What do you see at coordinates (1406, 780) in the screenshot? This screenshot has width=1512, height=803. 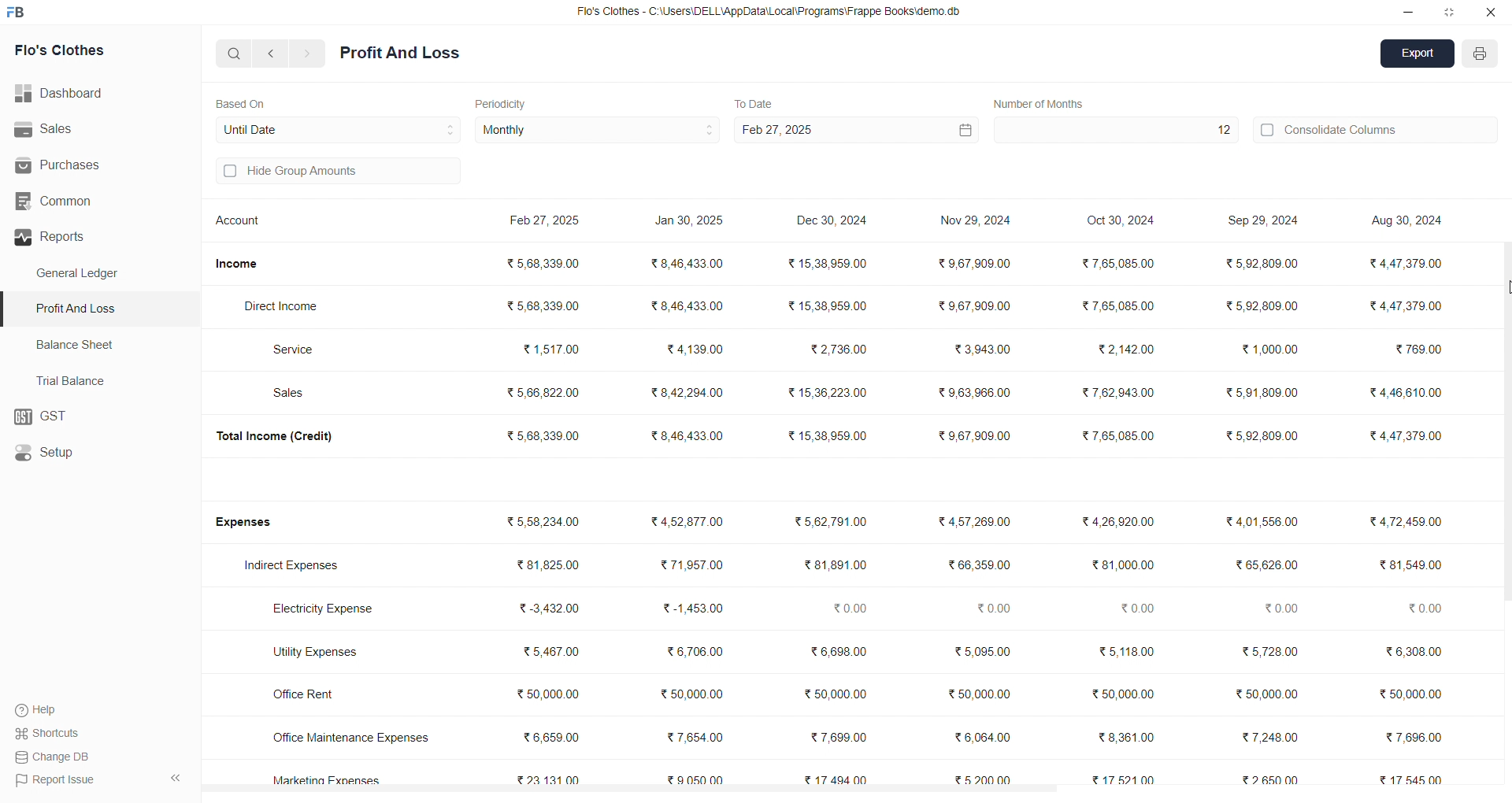 I see `17 545 00` at bounding box center [1406, 780].